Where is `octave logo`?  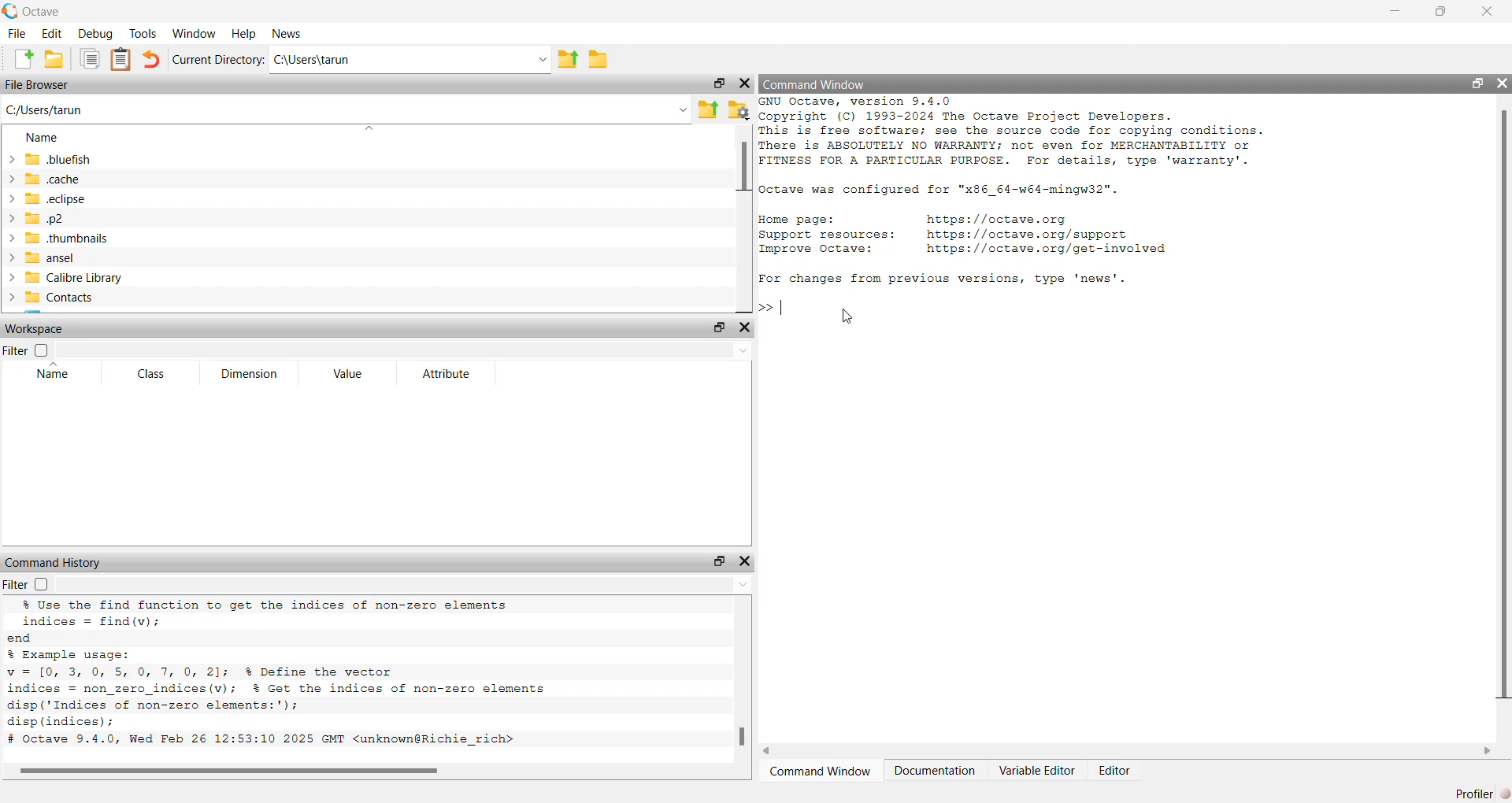 octave logo is located at coordinates (11, 9).